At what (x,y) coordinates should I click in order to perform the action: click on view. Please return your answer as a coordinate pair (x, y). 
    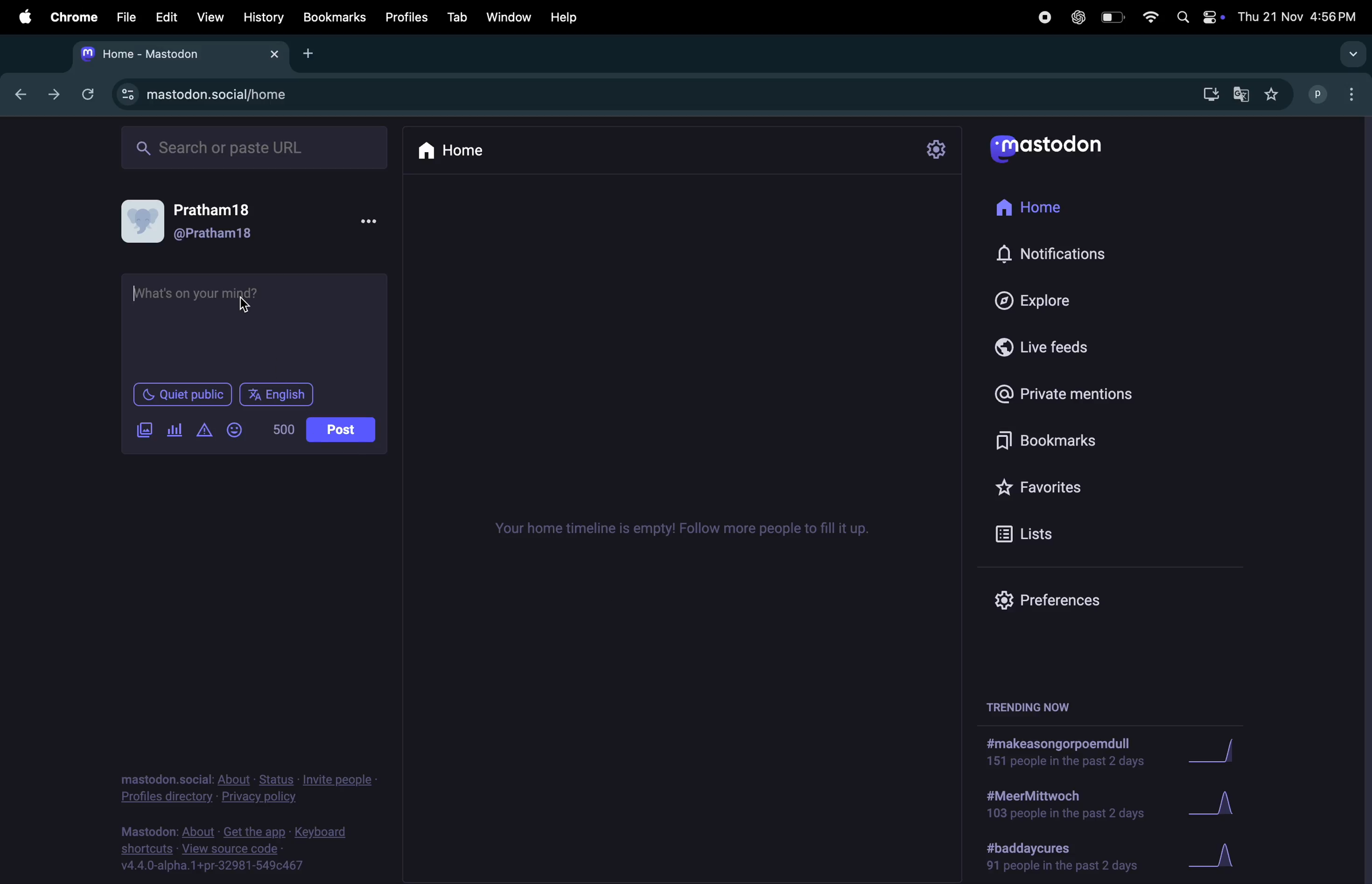
    Looking at the image, I should click on (209, 17).